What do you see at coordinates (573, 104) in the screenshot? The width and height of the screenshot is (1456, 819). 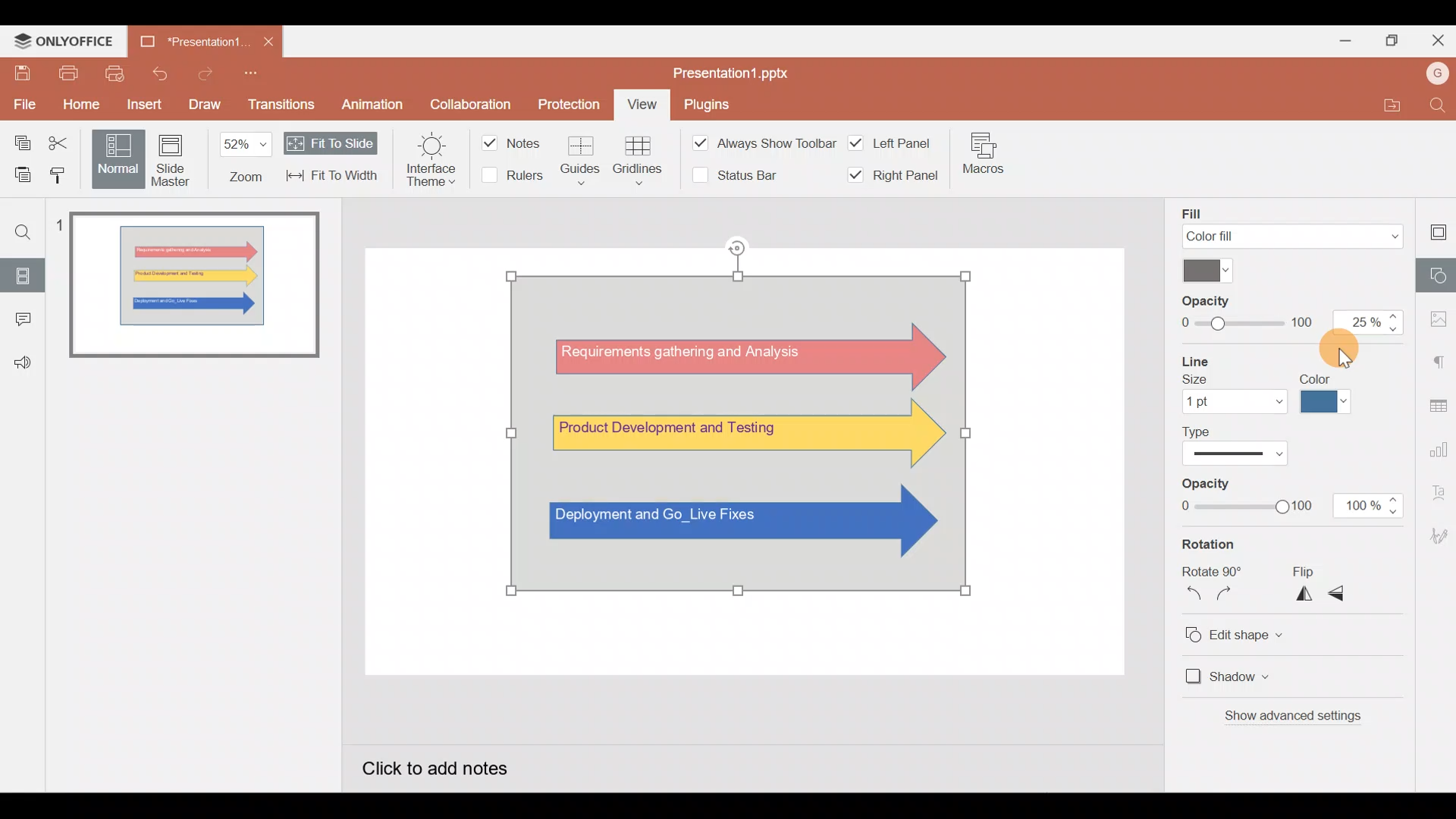 I see `Protection` at bounding box center [573, 104].